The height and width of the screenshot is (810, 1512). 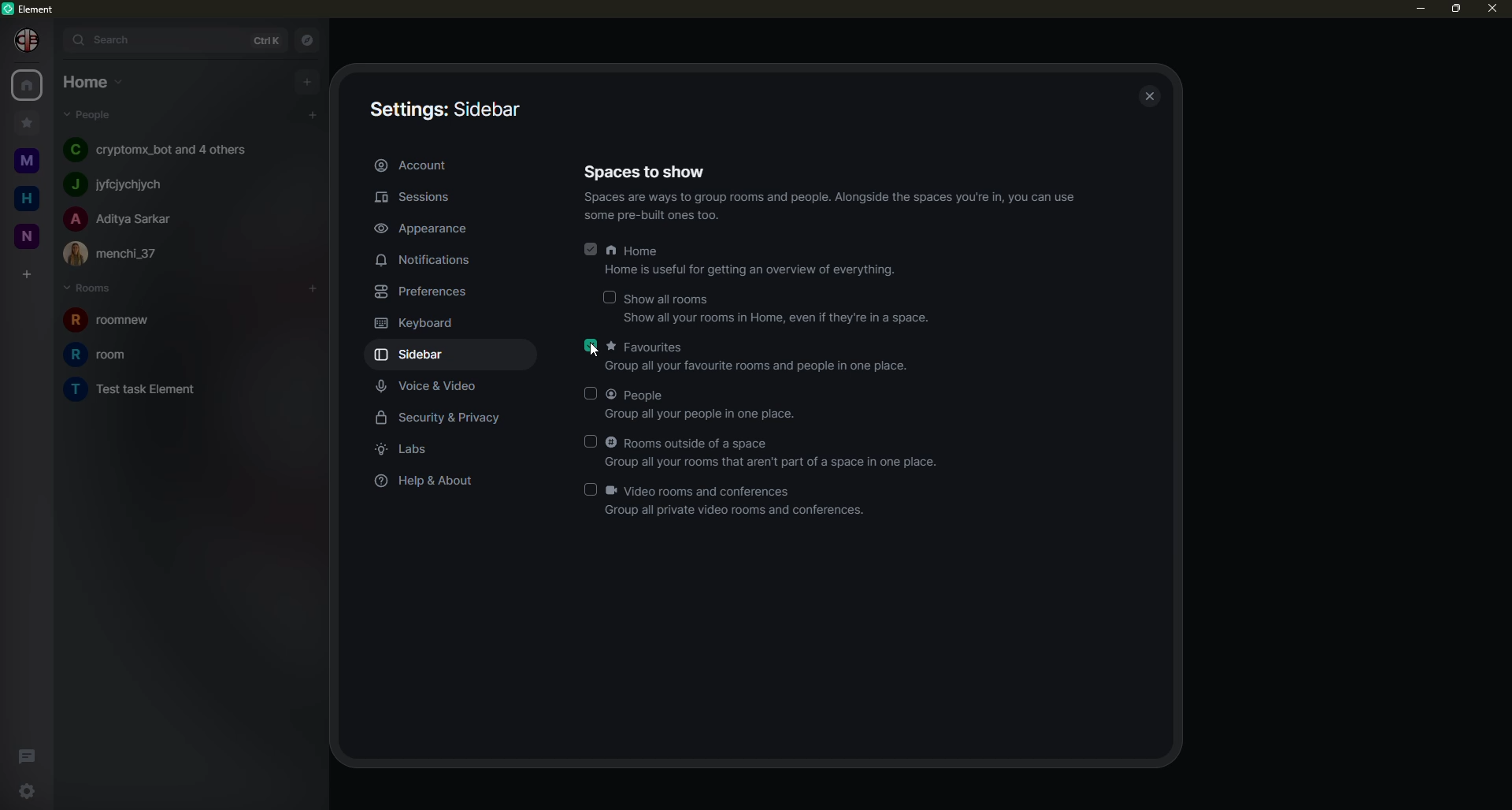 I want to click on account, so click(x=412, y=165).